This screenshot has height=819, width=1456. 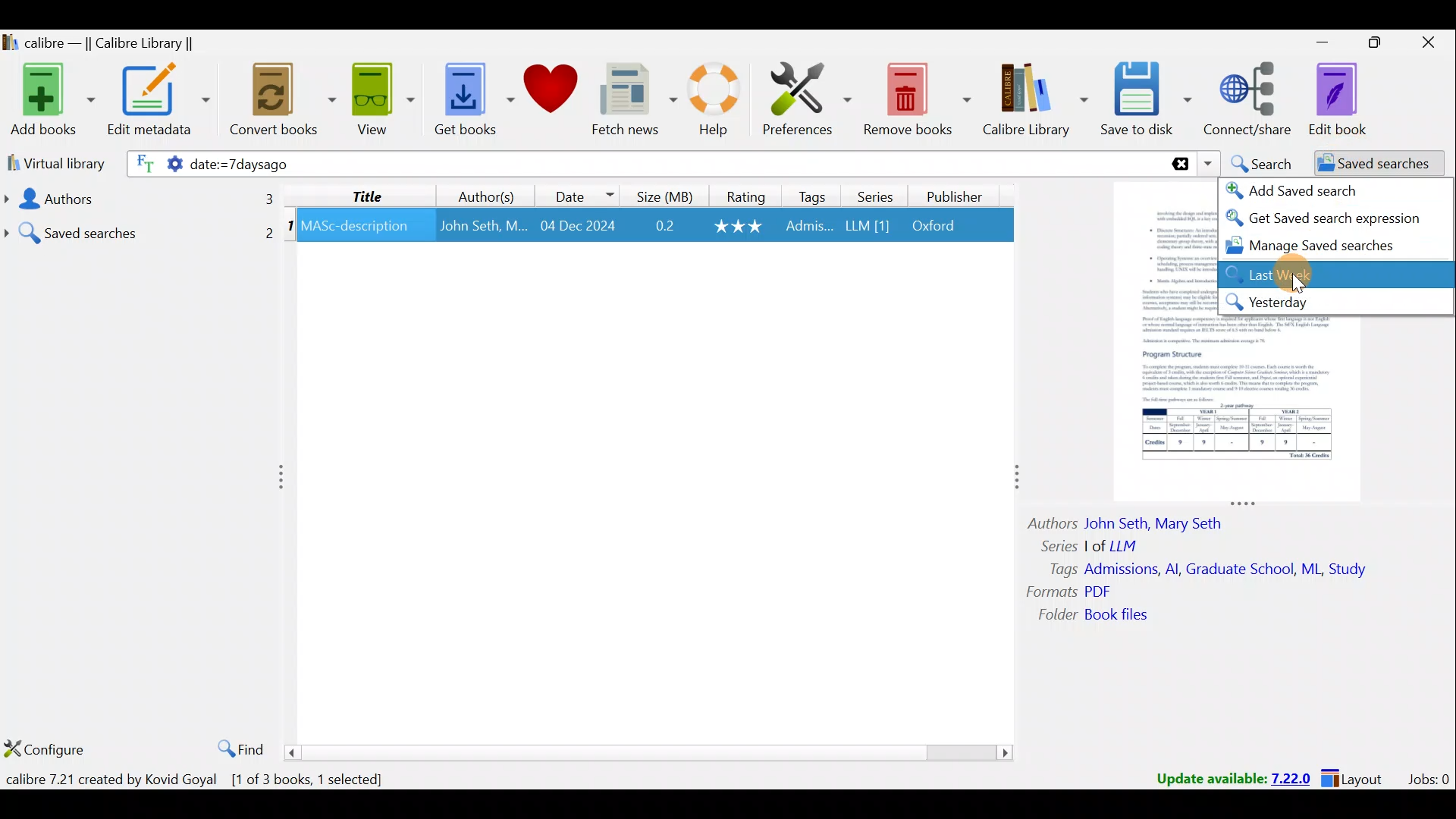 What do you see at coordinates (1319, 246) in the screenshot?
I see `Manage Saved searches` at bounding box center [1319, 246].